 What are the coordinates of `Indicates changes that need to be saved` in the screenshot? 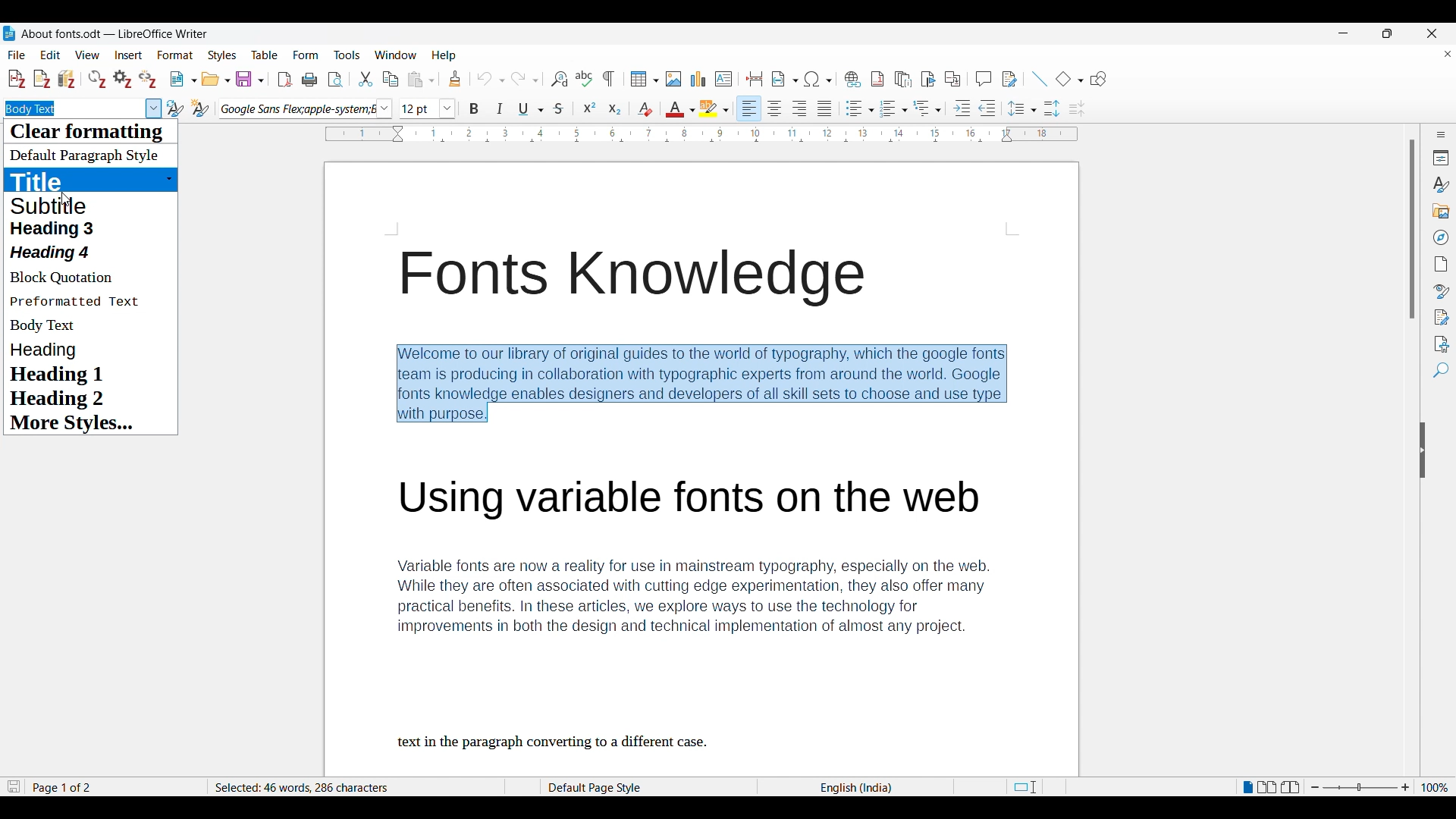 It's located at (14, 786).